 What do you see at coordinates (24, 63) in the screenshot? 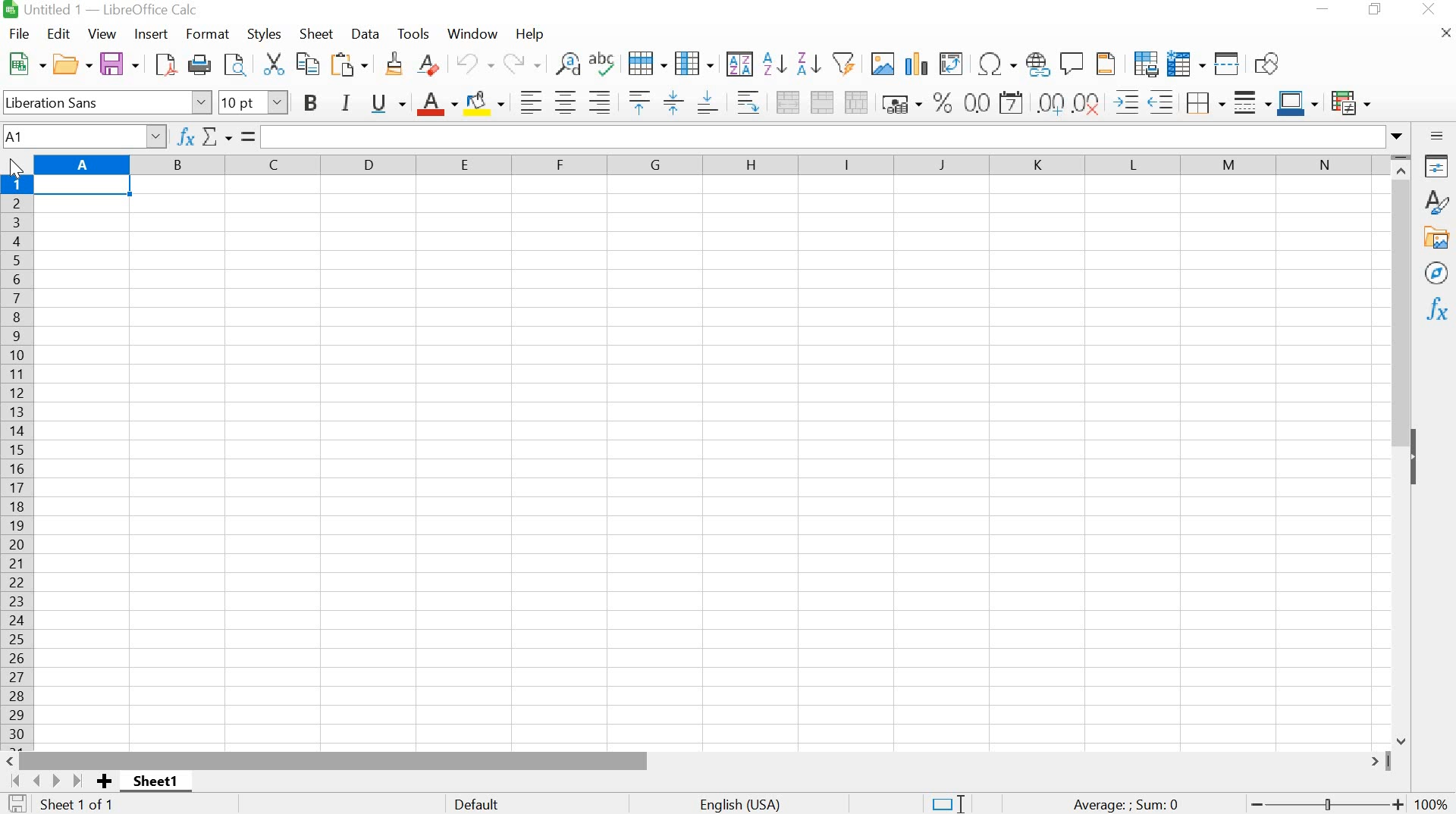
I see `NEW` at bounding box center [24, 63].